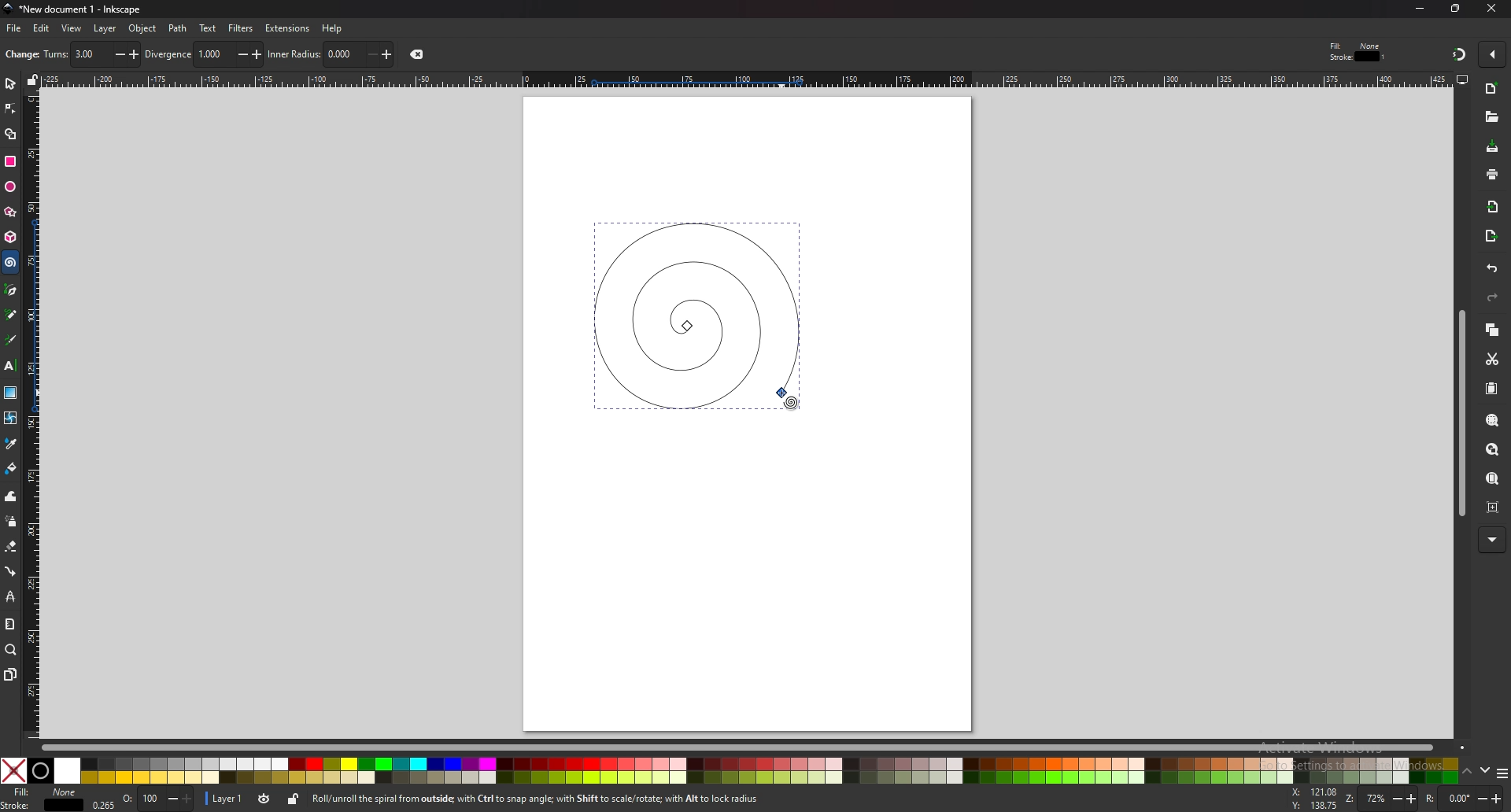 This screenshot has height=812, width=1511. Describe the element at coordinates (11, 674) in the screenshot. I see `pages` at that location.